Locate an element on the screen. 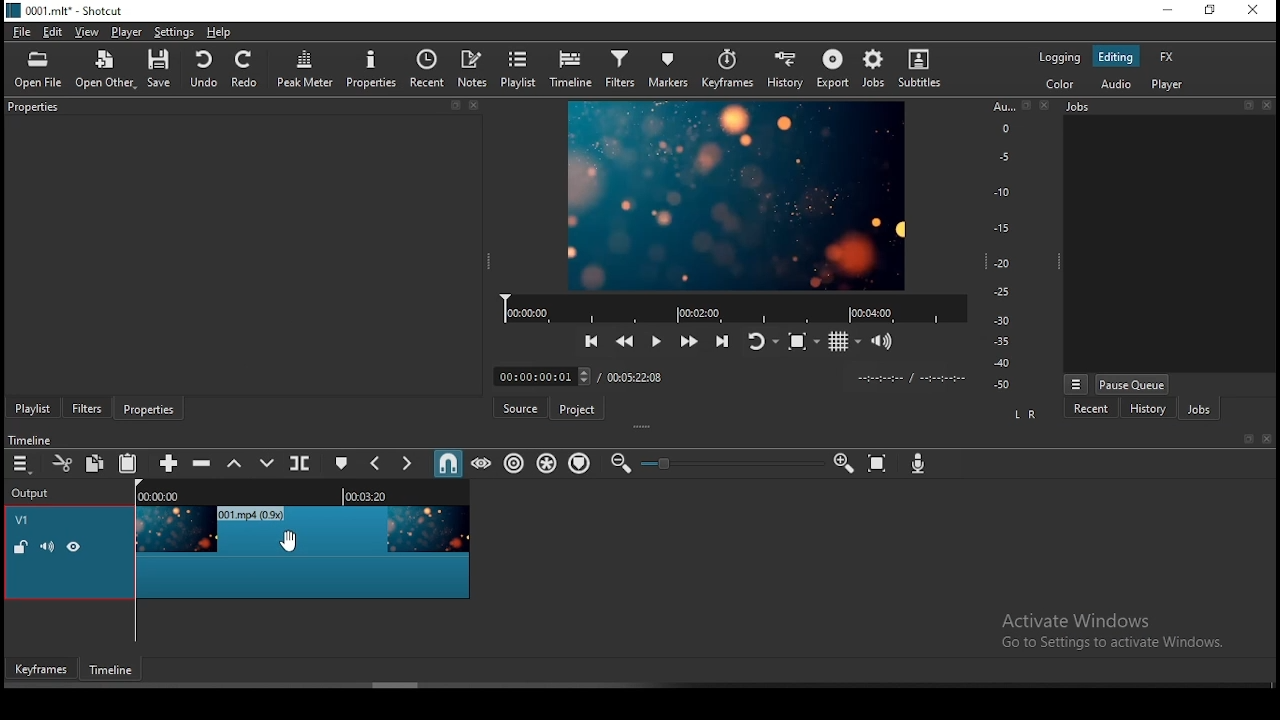 Image resolution: width=1280 pixels, height=720 pixels. timeframe is located at coordinates (112, 669).